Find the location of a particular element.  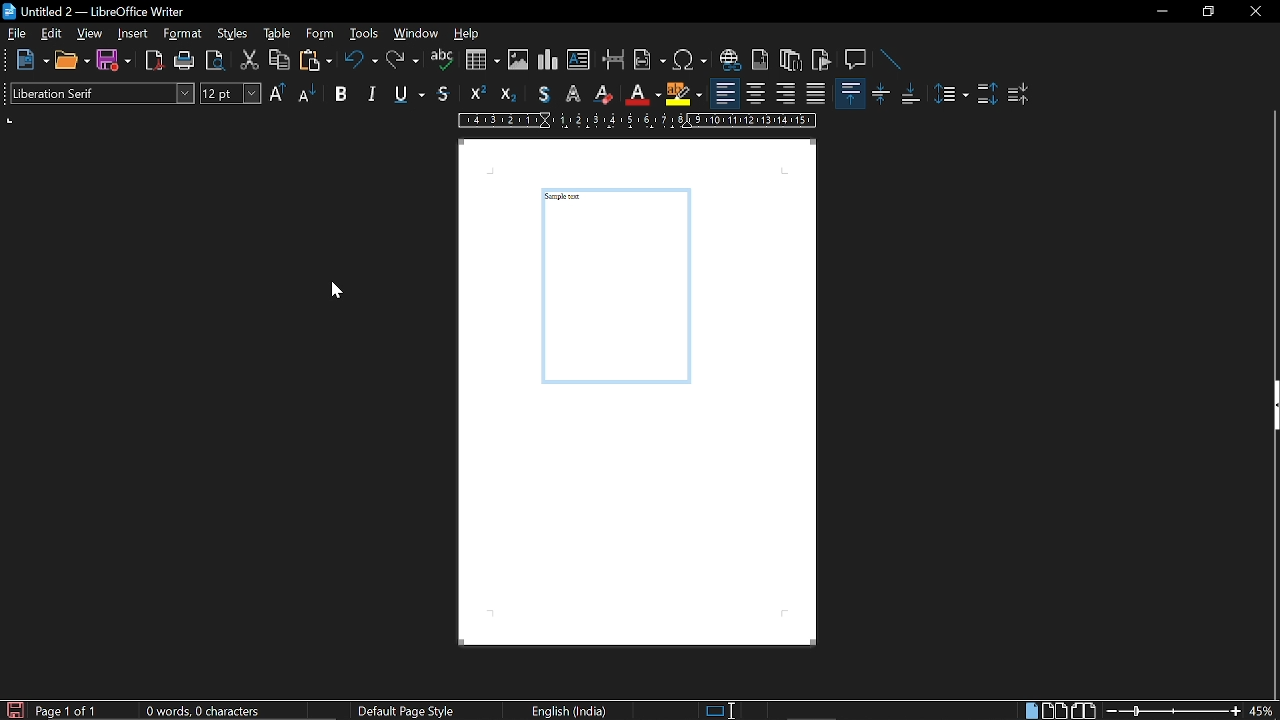

single page view is located at coordinates (1030, 711).